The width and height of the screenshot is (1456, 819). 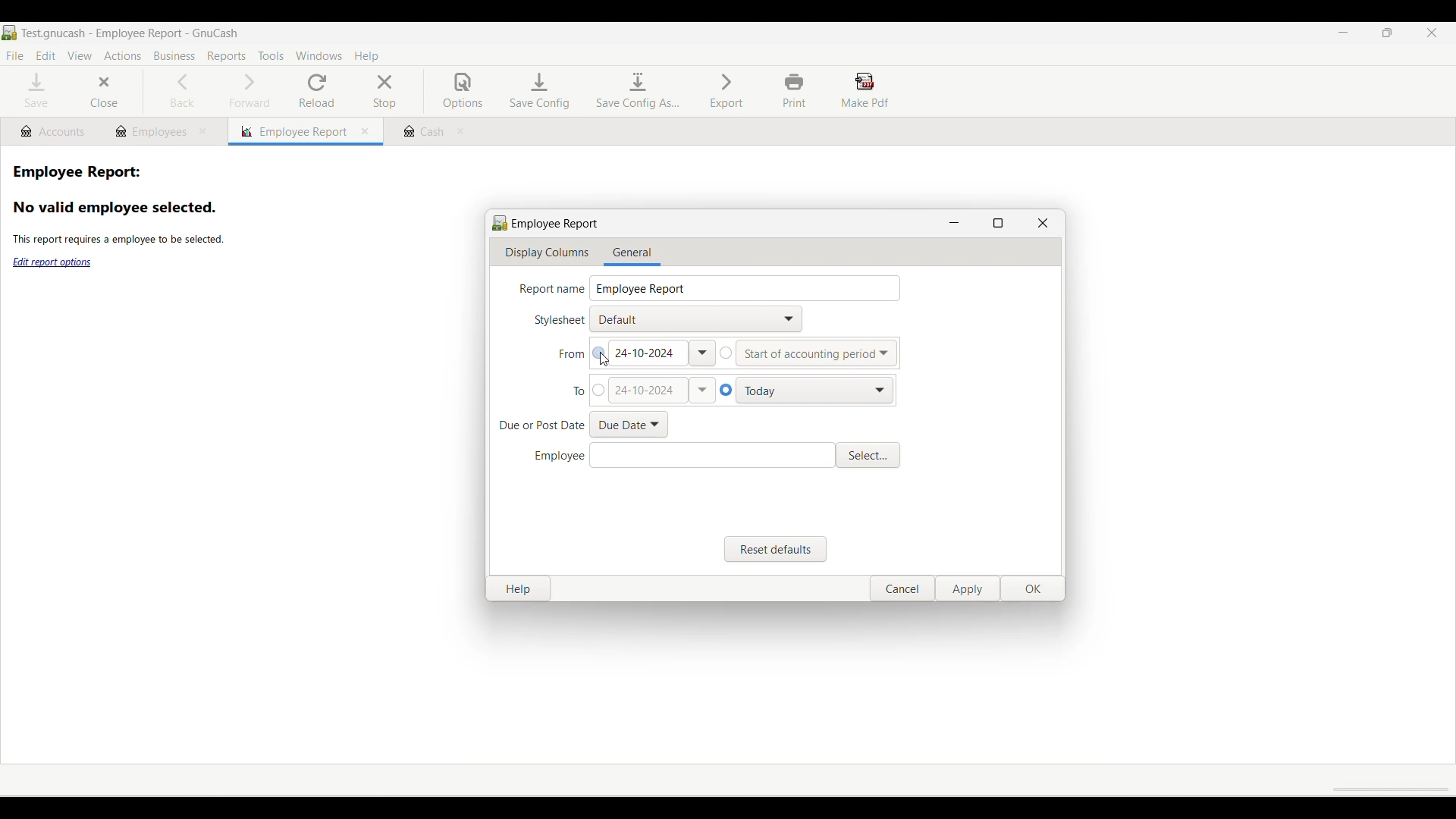 I want to click on Report name, so click(x=745, y=289).